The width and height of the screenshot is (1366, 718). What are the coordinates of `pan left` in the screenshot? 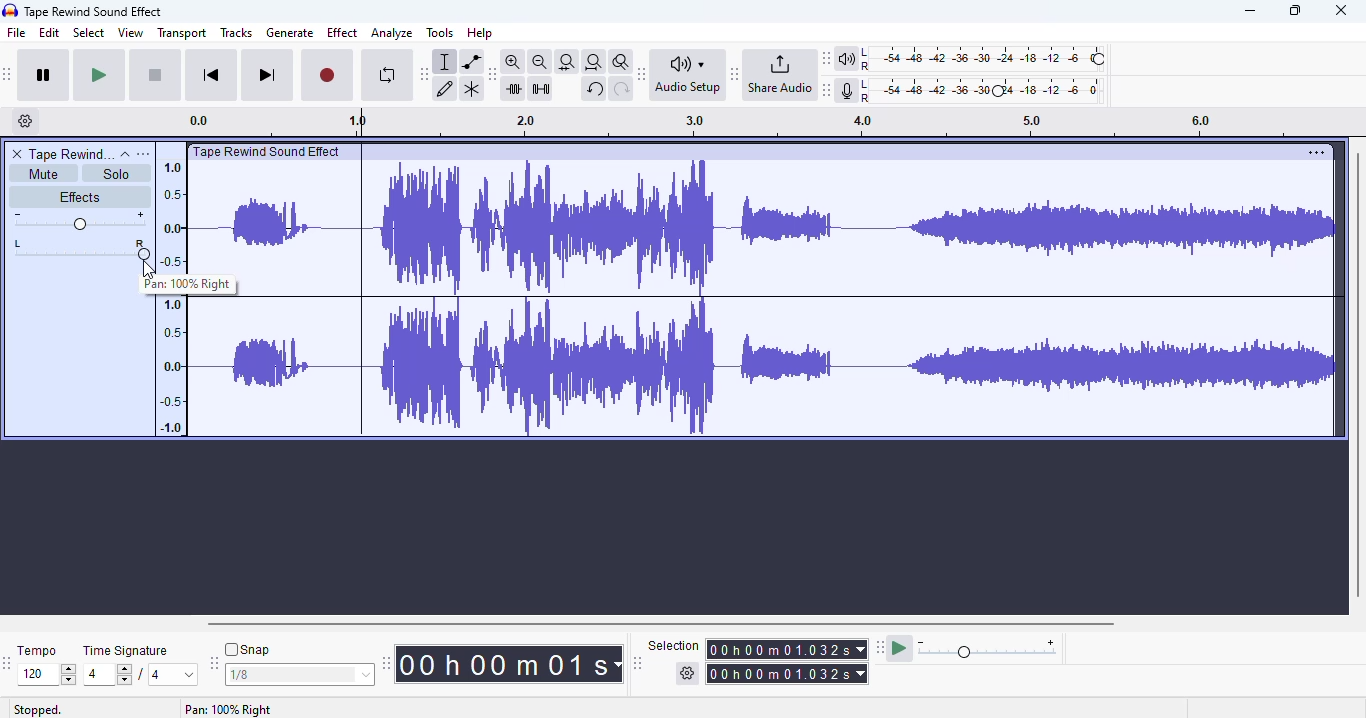 It's located at (20, 249).